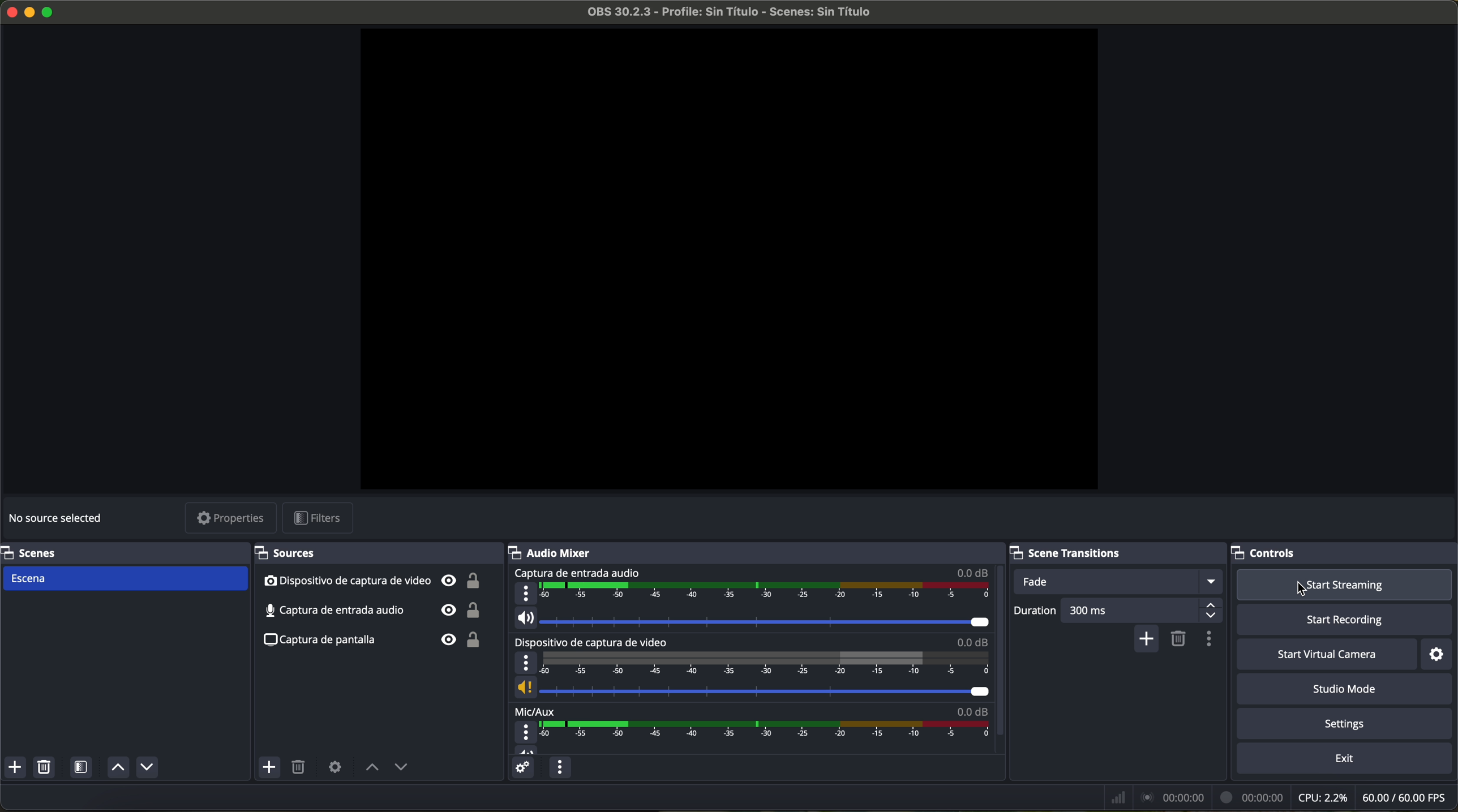 The image size is (1458, 812). Describe the element at coordinates (231, 519) in the screenshot. I see `properties` at that location.